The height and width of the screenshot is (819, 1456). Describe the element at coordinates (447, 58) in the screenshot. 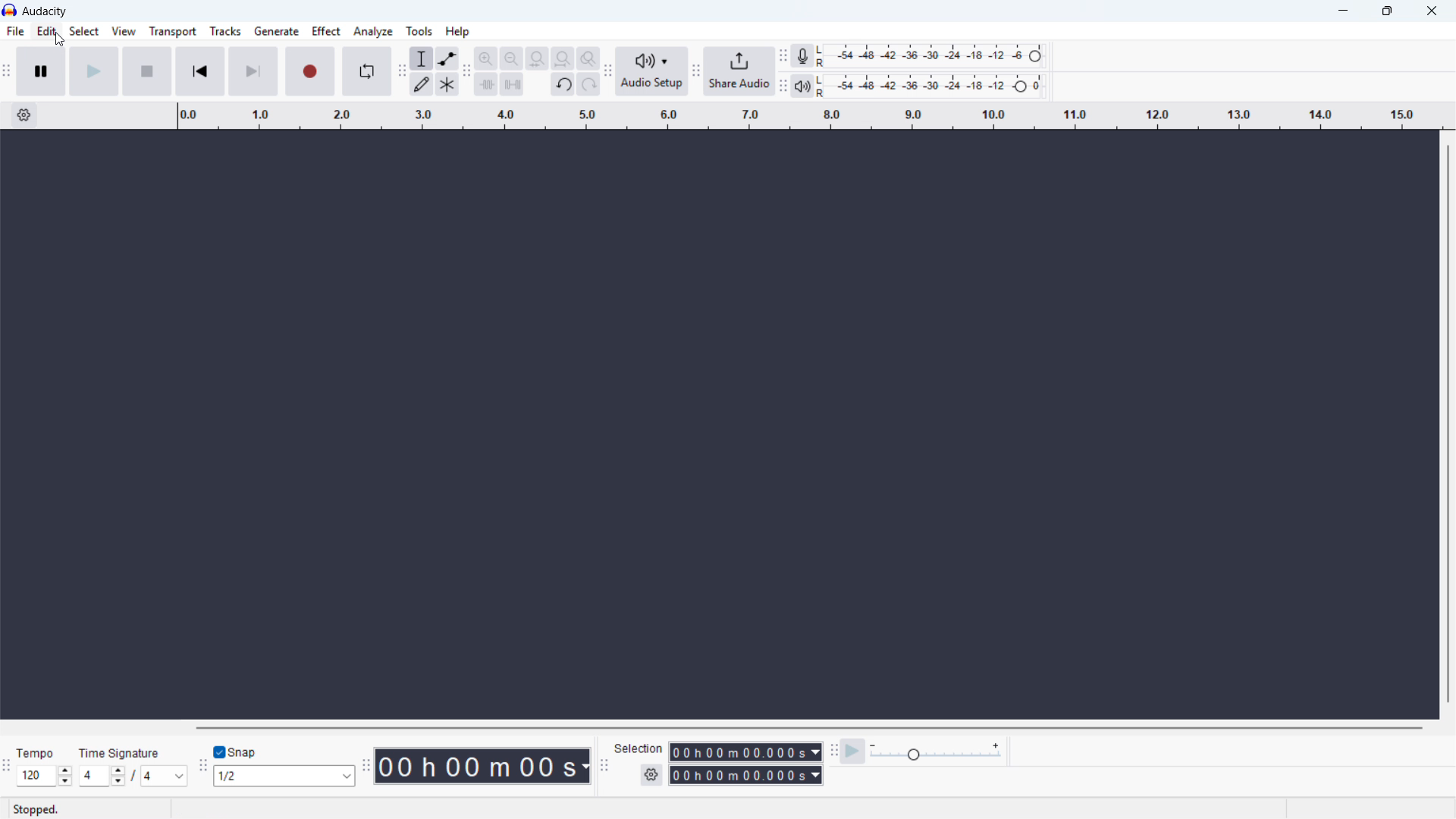

I see `envelop tool` at that location.